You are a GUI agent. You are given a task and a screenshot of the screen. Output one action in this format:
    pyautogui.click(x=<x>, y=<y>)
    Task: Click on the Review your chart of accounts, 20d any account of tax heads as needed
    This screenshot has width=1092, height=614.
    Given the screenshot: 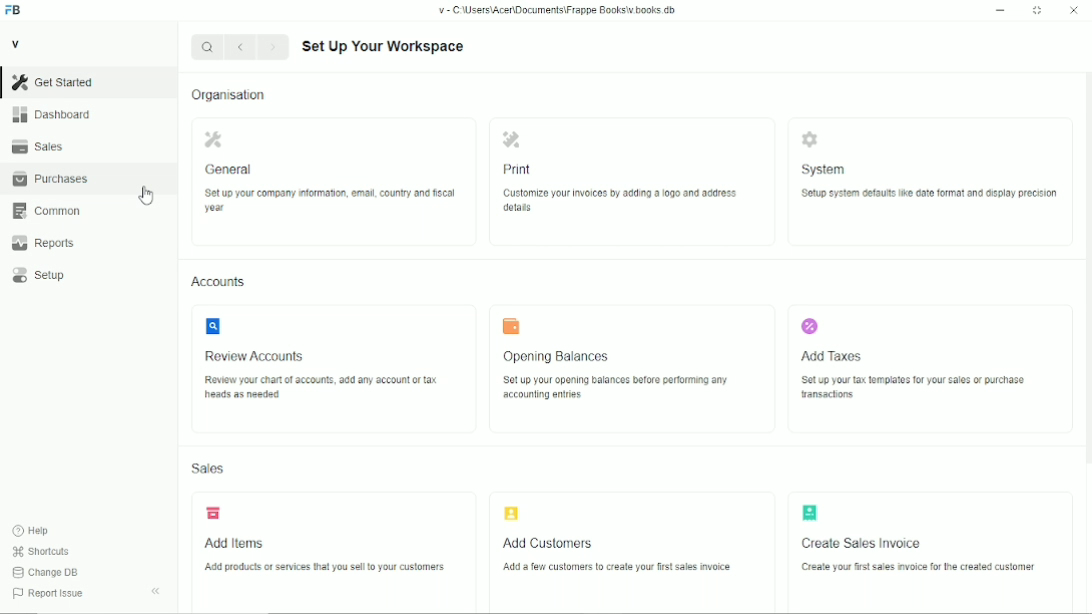 What is the action you would take?
    pyautogui.click(x=317, y=390)
    